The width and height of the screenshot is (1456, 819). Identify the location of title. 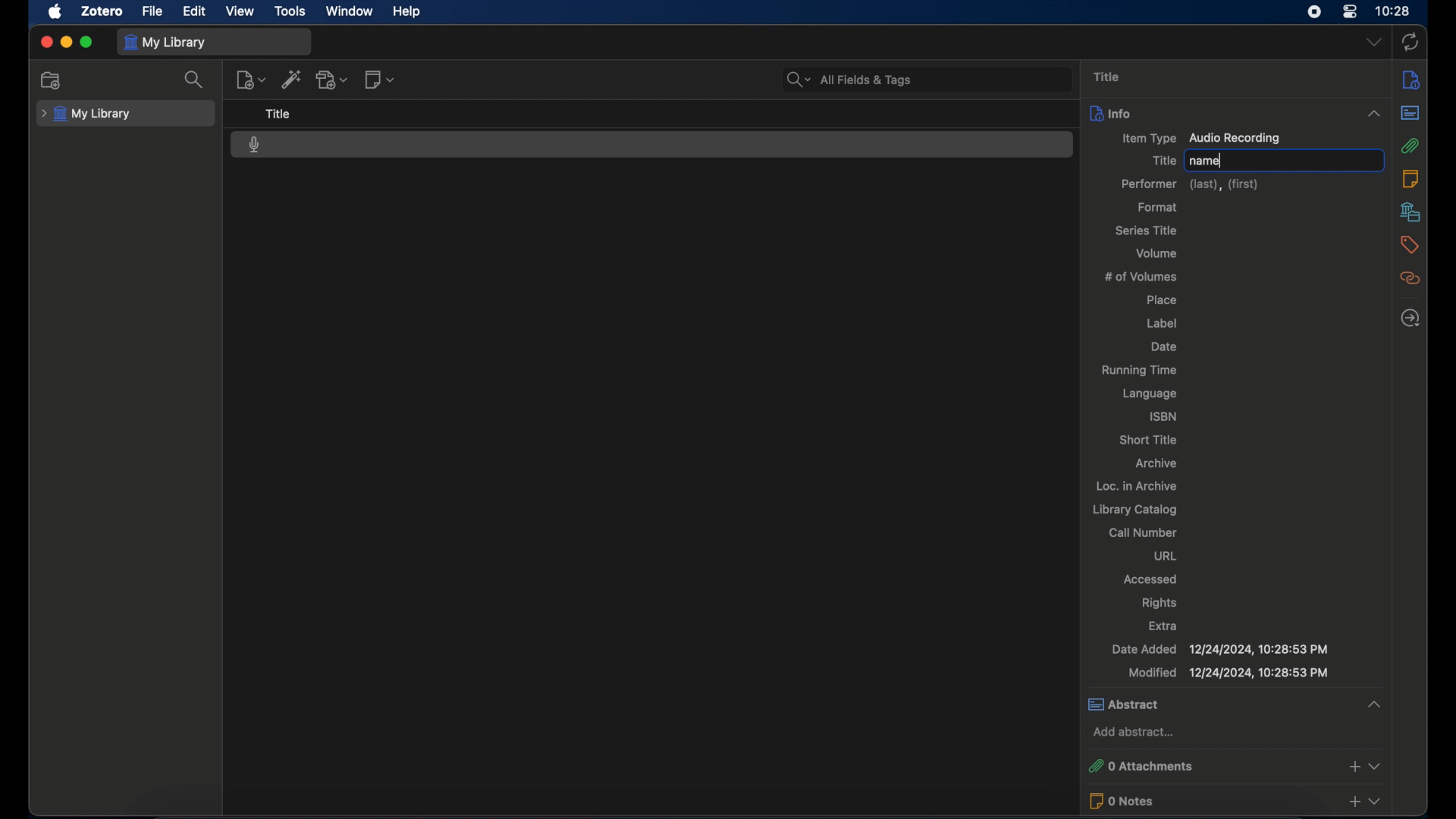
(1107, 77).